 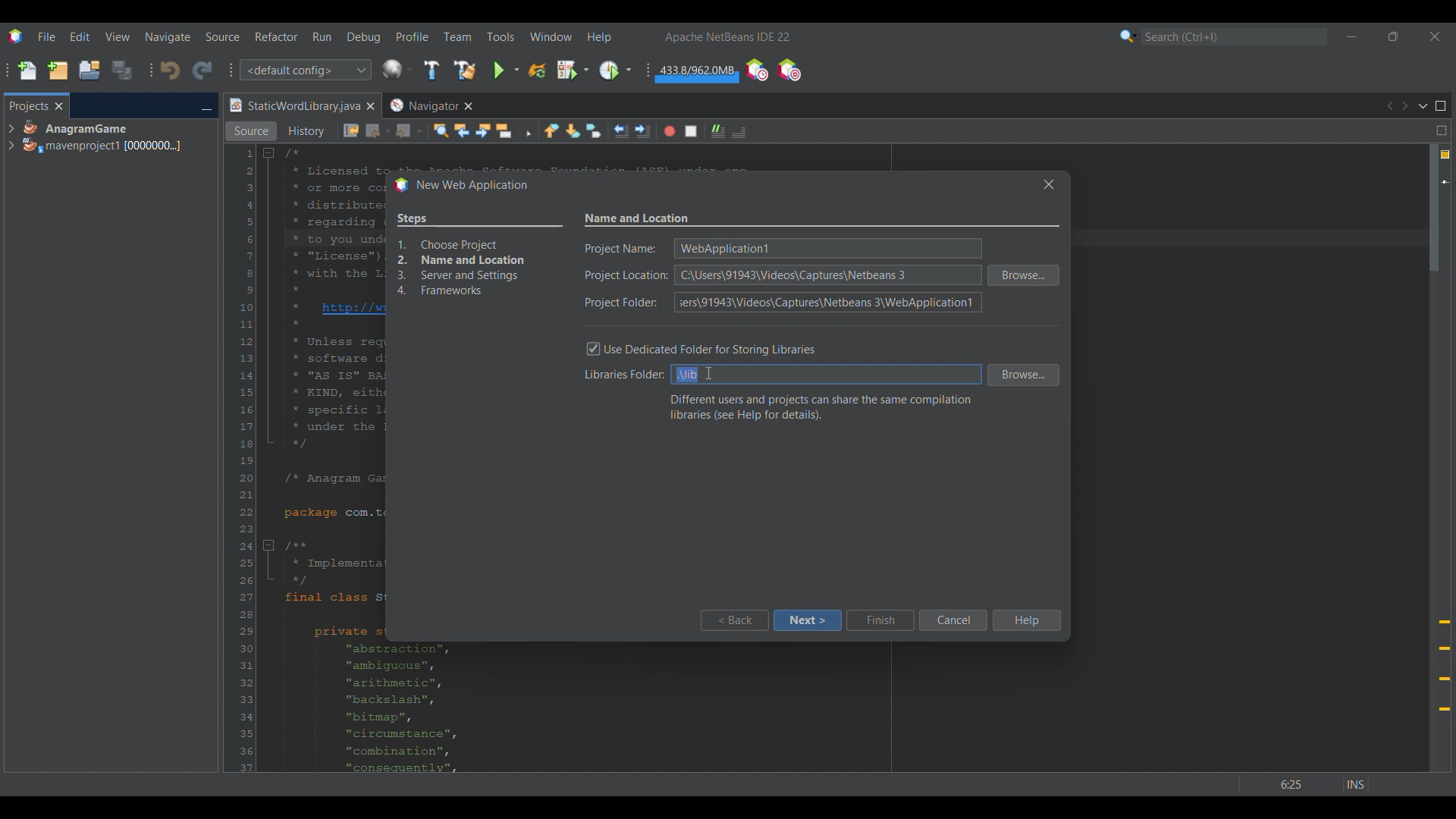 I want to click on History view, so click(x=308, y=131).